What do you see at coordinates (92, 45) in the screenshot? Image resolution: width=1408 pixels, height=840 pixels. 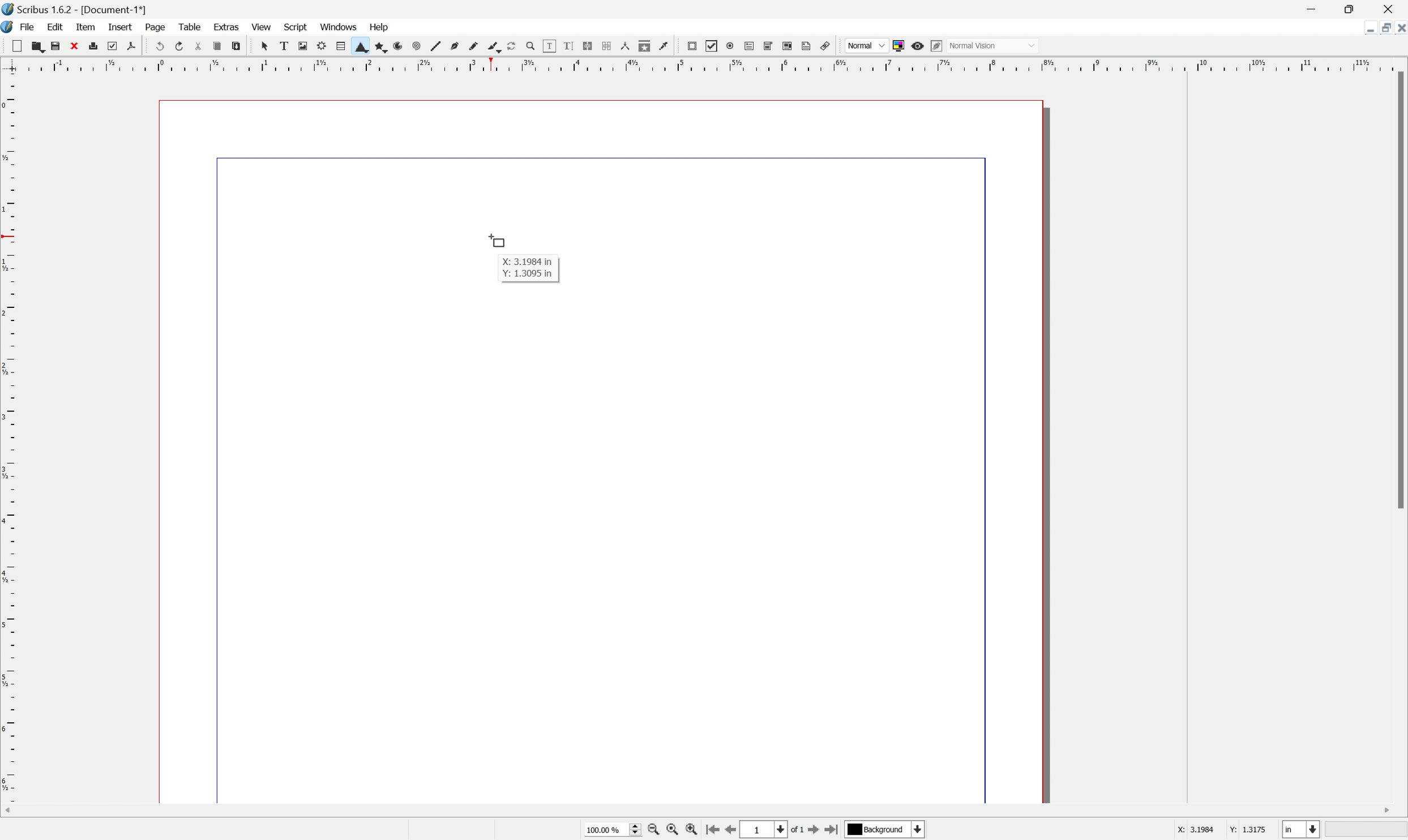 I see `Print` at bounding box center [92, 45].